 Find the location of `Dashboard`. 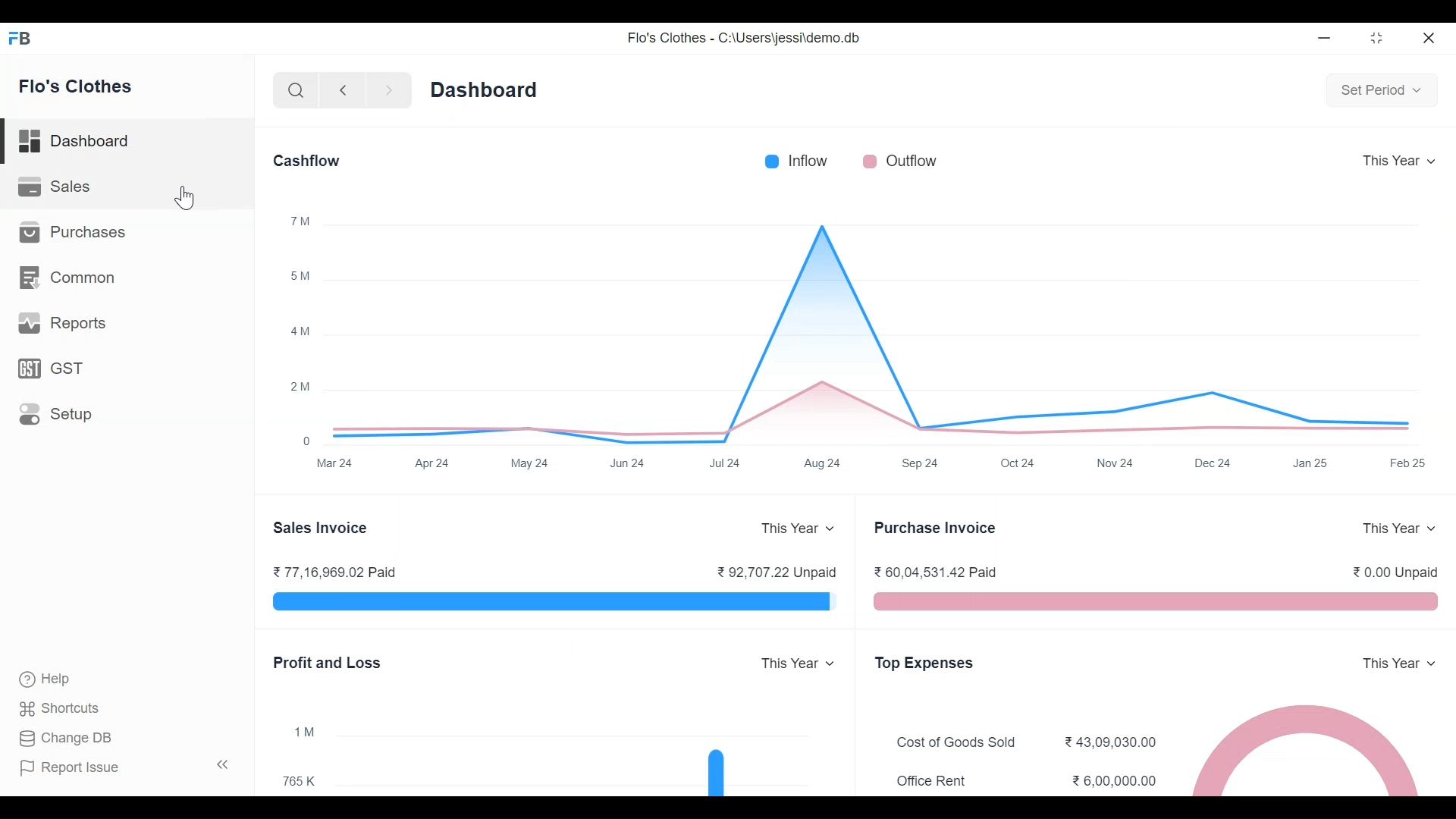

Dashboard is located at coordinates (126, 141).